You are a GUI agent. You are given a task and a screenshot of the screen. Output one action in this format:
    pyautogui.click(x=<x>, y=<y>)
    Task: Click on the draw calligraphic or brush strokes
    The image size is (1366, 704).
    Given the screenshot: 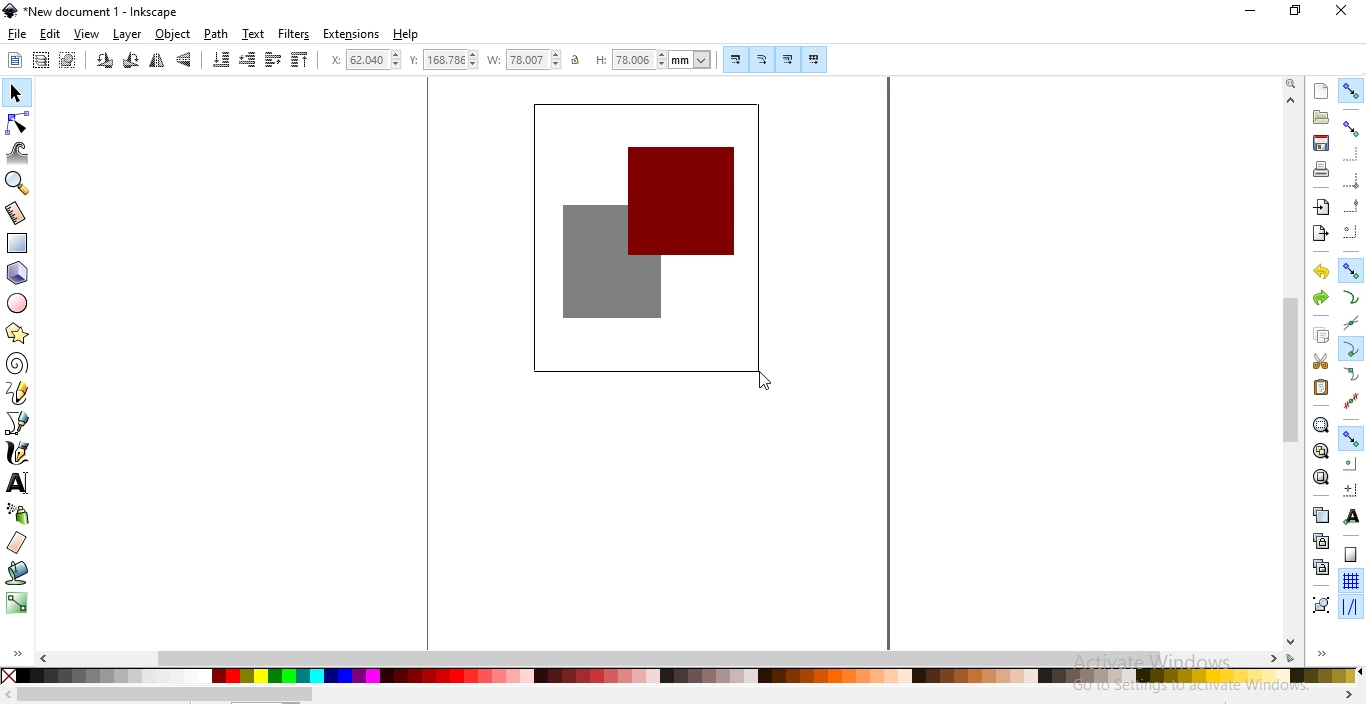 What is the action you would take?
    pyautogui.click(x=18, y=454)
    